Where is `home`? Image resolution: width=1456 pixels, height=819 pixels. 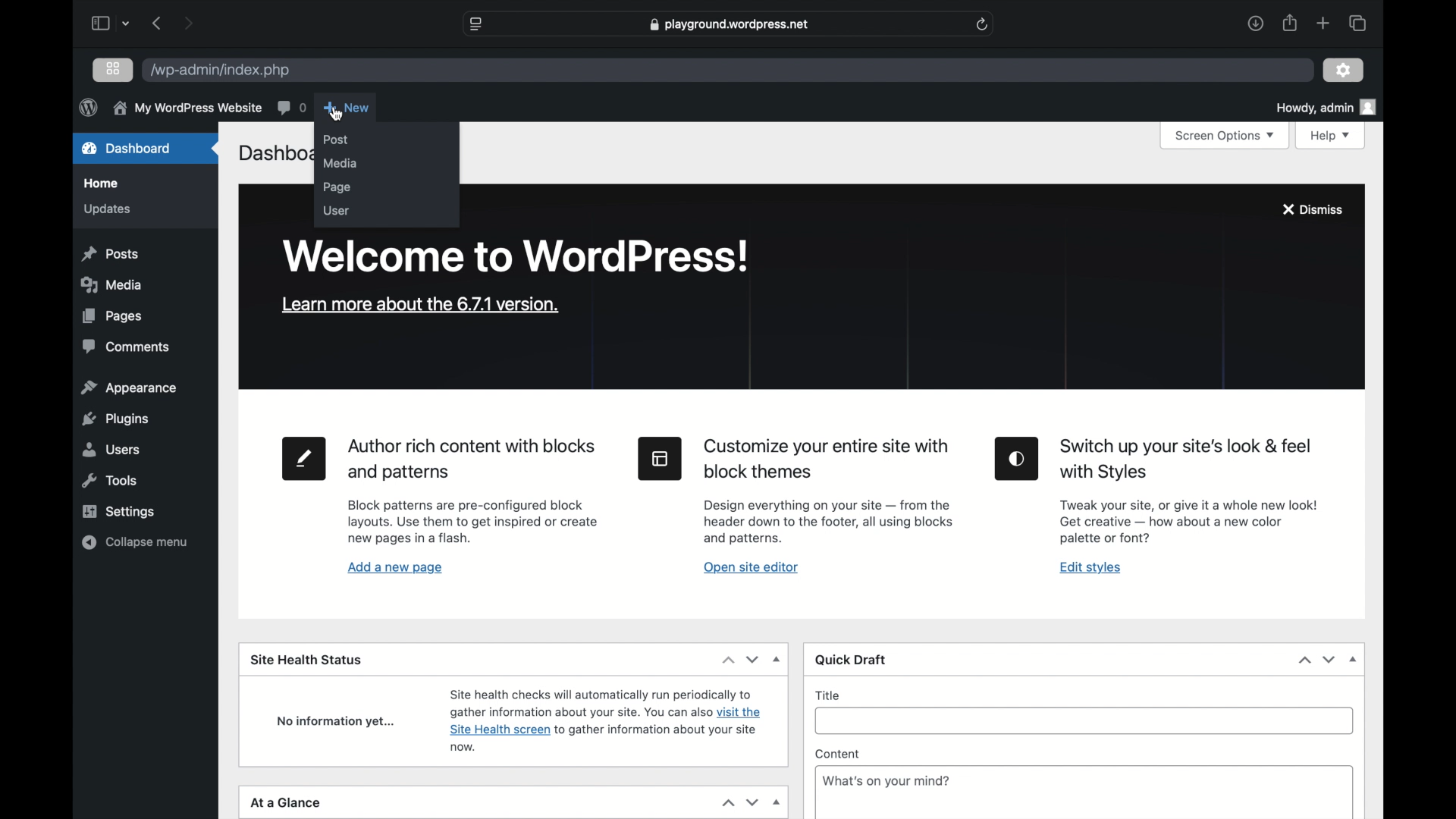 home is located at coordinates (103, 184).